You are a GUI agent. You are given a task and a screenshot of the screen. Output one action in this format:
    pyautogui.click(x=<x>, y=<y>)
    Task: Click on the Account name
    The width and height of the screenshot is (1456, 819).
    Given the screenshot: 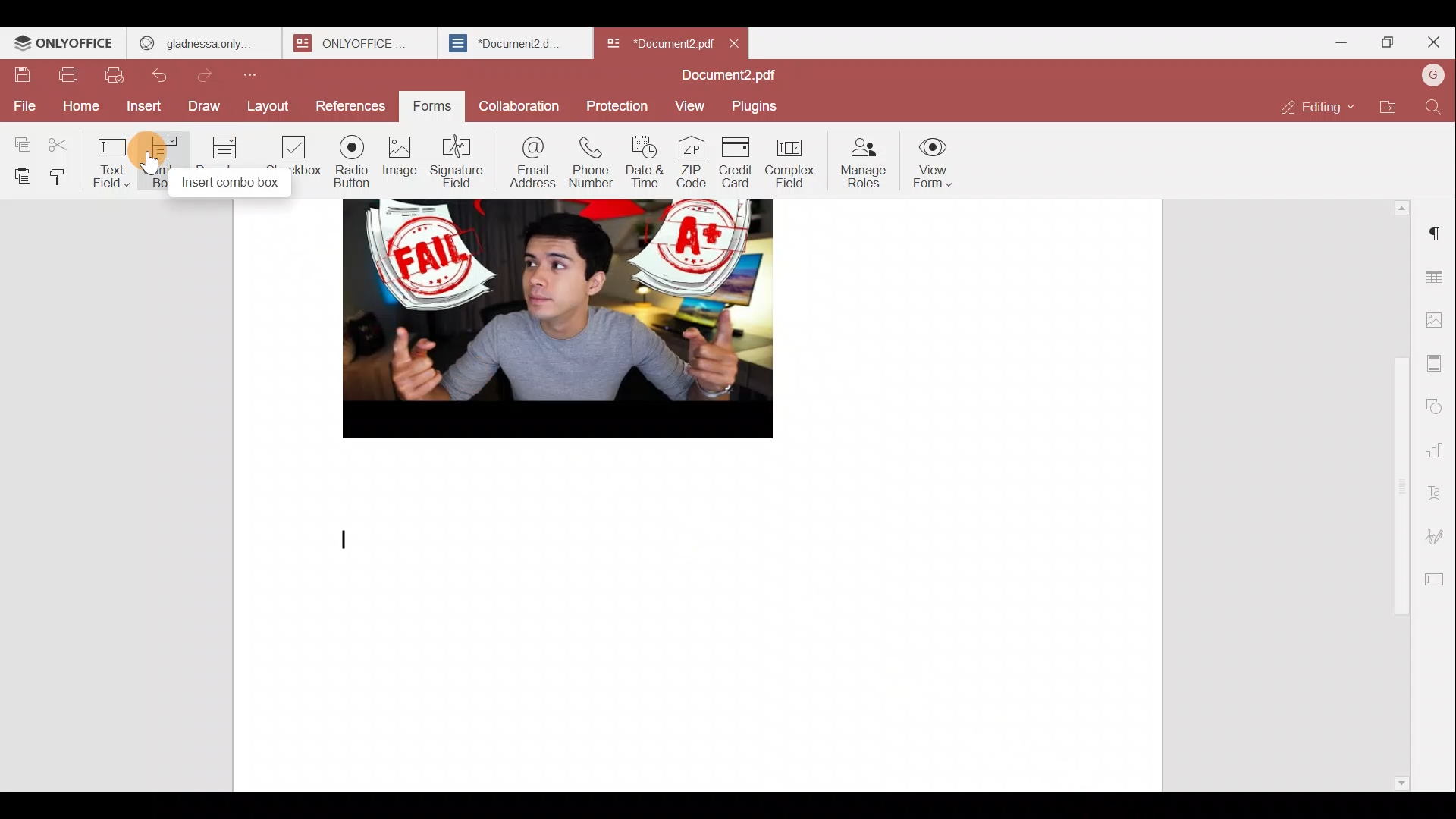 What is the action you would take?
    pyautogui.click(x=1429, y=80)
    